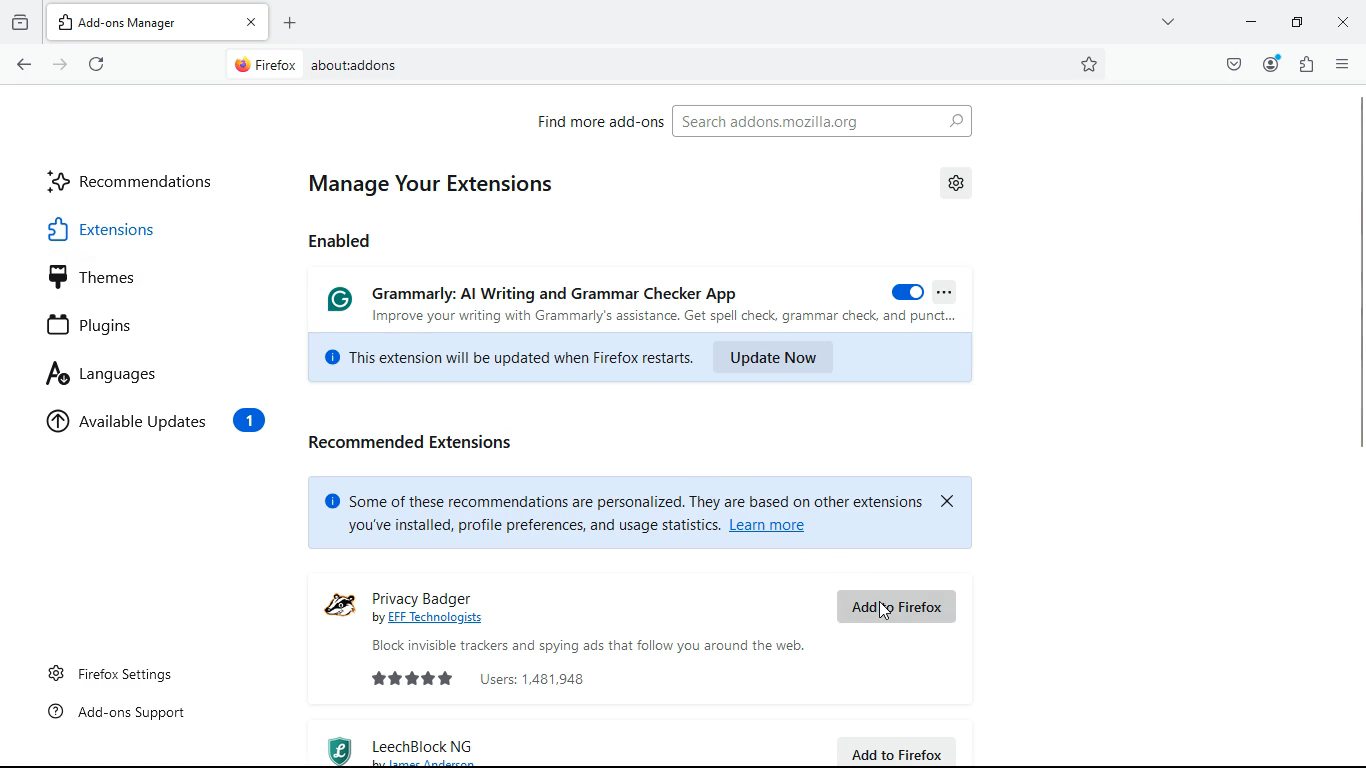  I want to click on more, so click(1169, 24).